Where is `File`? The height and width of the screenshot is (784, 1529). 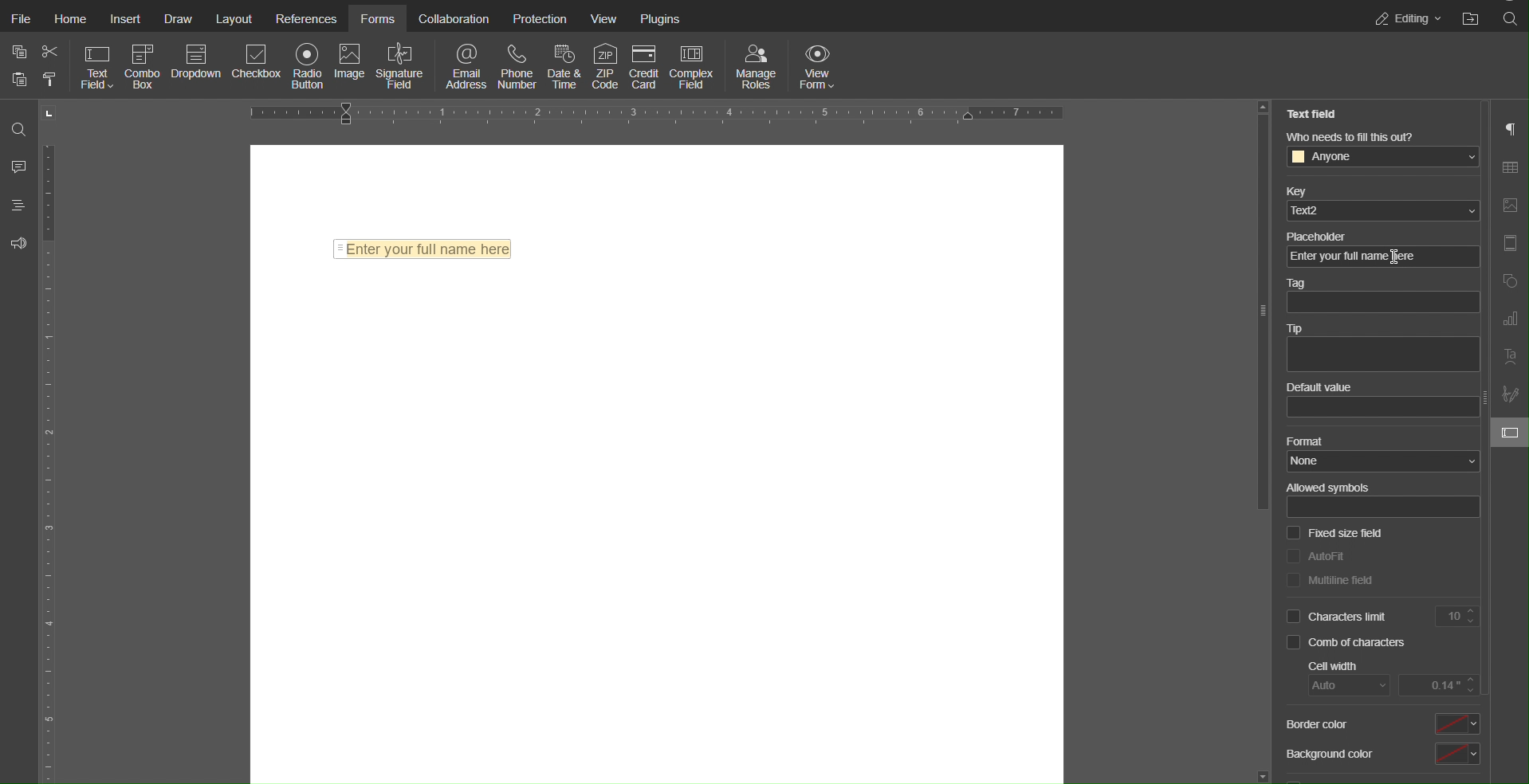
File is located at coordinates (20, 20).